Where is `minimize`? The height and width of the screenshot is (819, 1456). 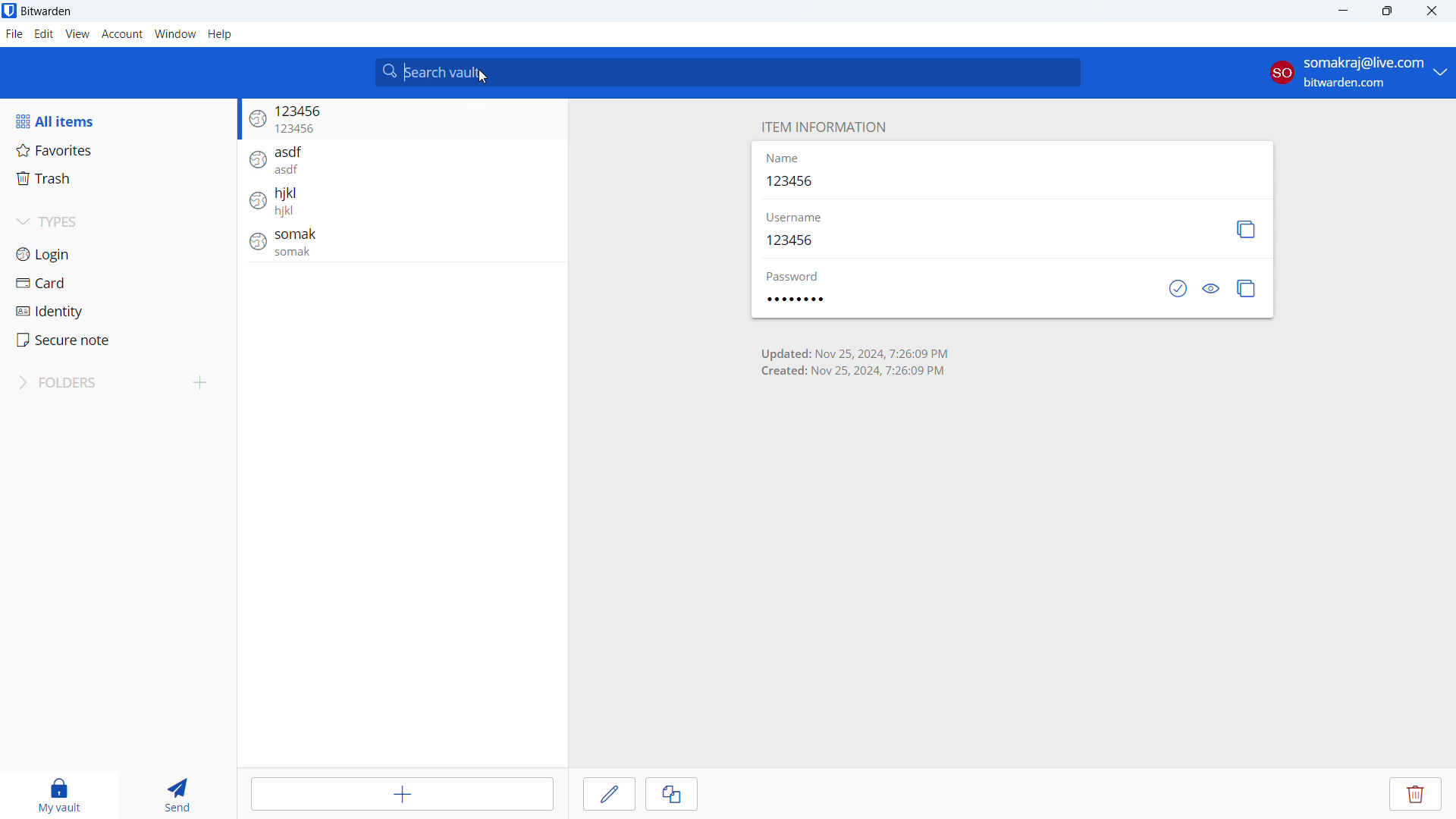
minimize is located at coordinates (1341, 11).